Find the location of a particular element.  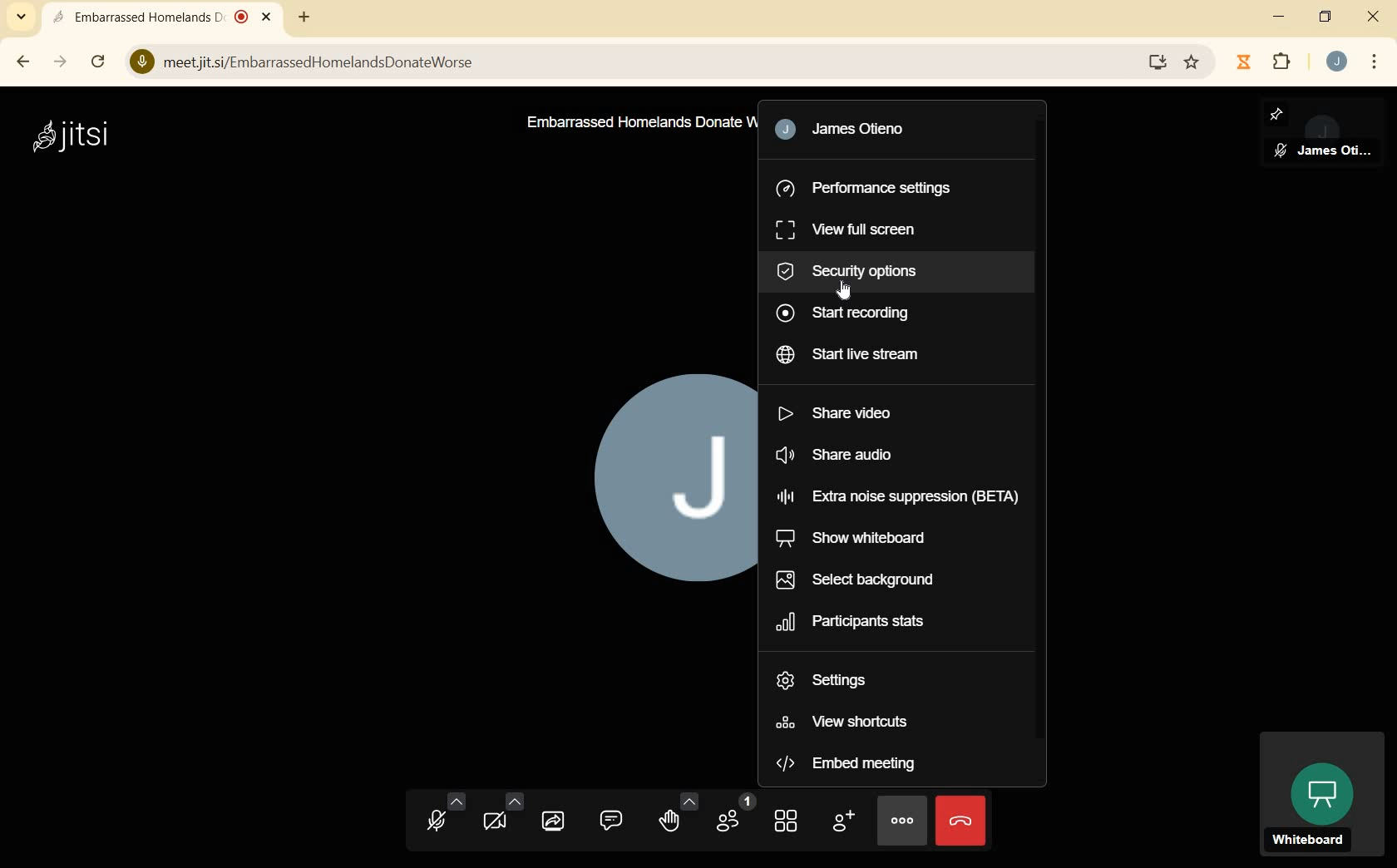

more actions is located at coordinates (902, 820).